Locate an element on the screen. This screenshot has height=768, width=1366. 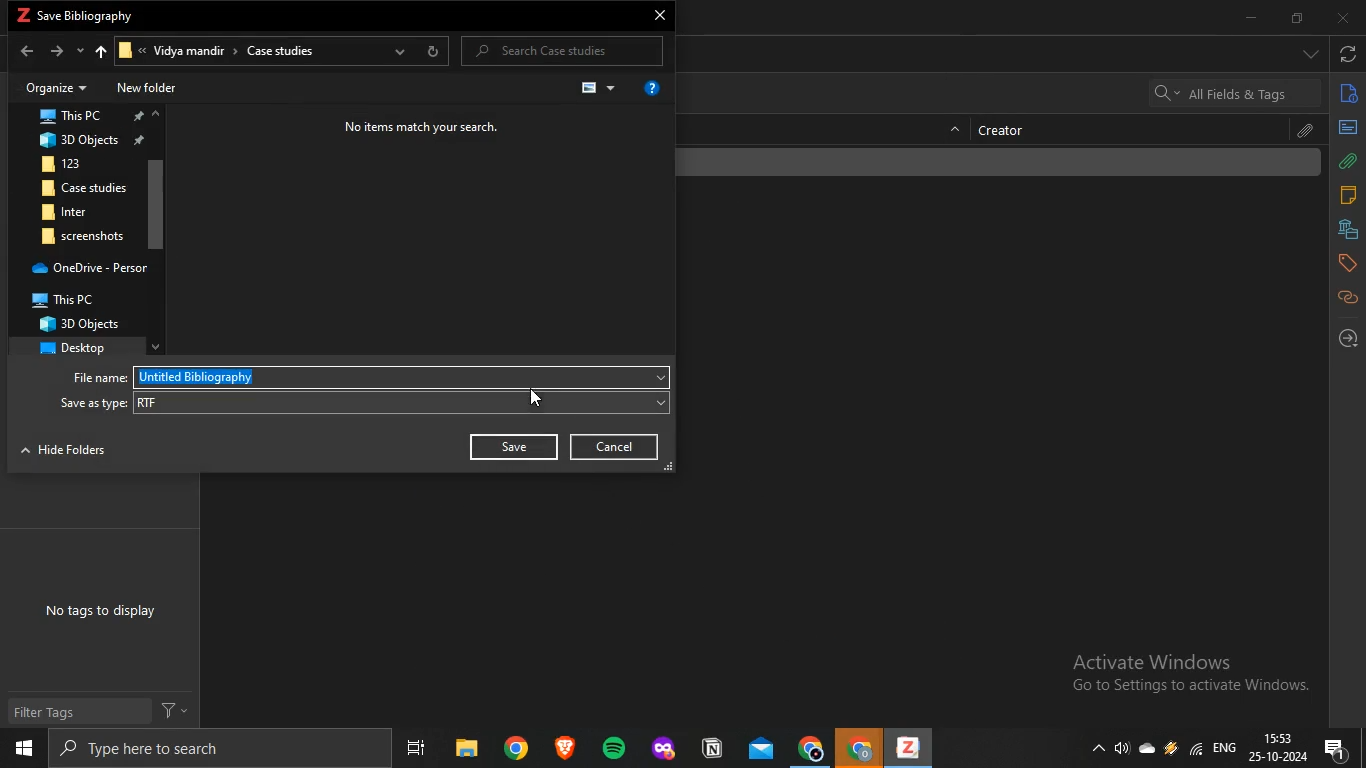
filter is located at coordinates (177, 709).